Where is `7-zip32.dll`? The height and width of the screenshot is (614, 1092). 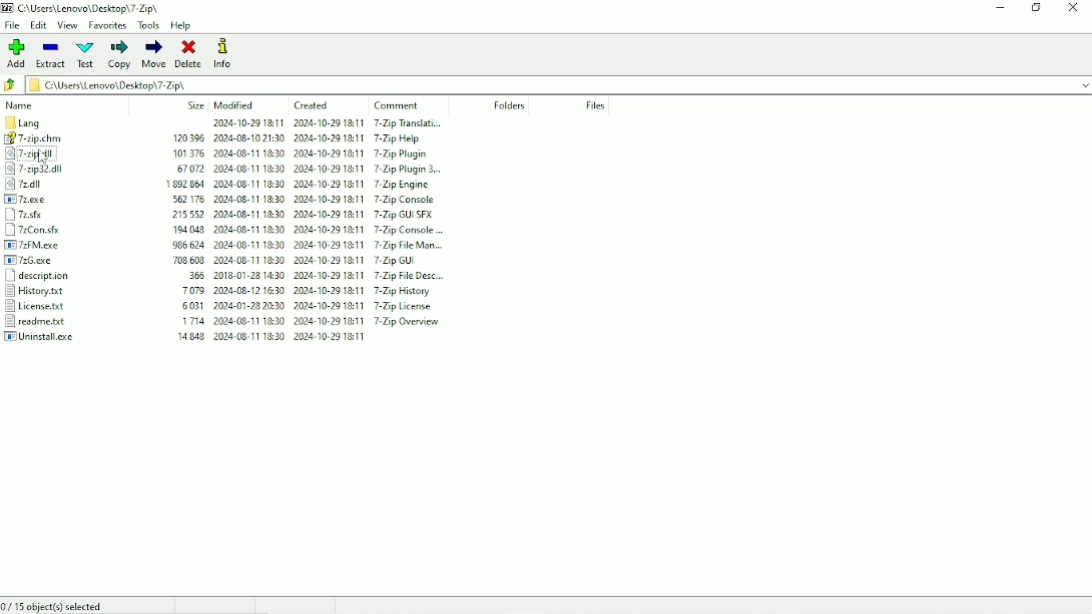
7-zip32.dll is located at coordinates (222, 169).